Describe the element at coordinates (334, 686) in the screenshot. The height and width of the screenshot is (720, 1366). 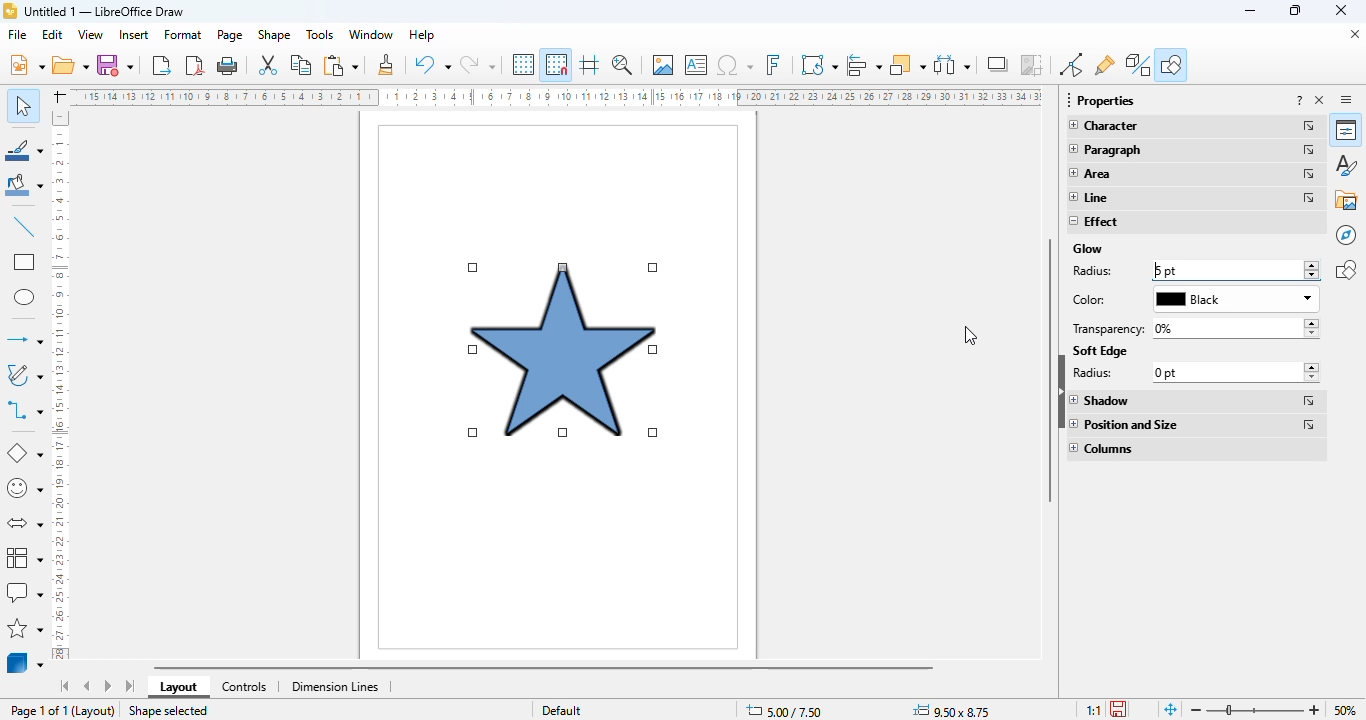
I see `dimension lines` at that location.